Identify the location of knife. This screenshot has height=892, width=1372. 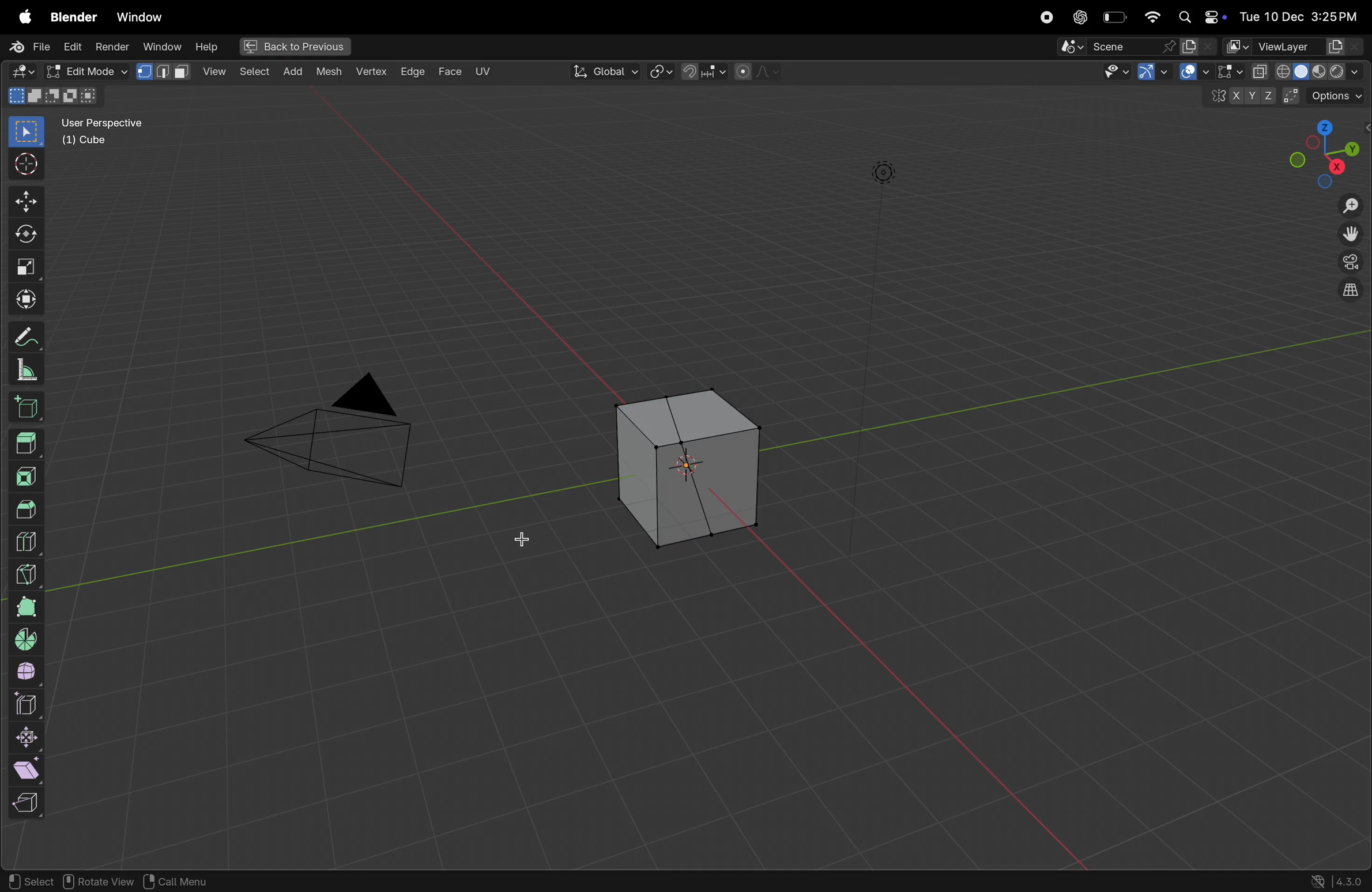
(717, 532).